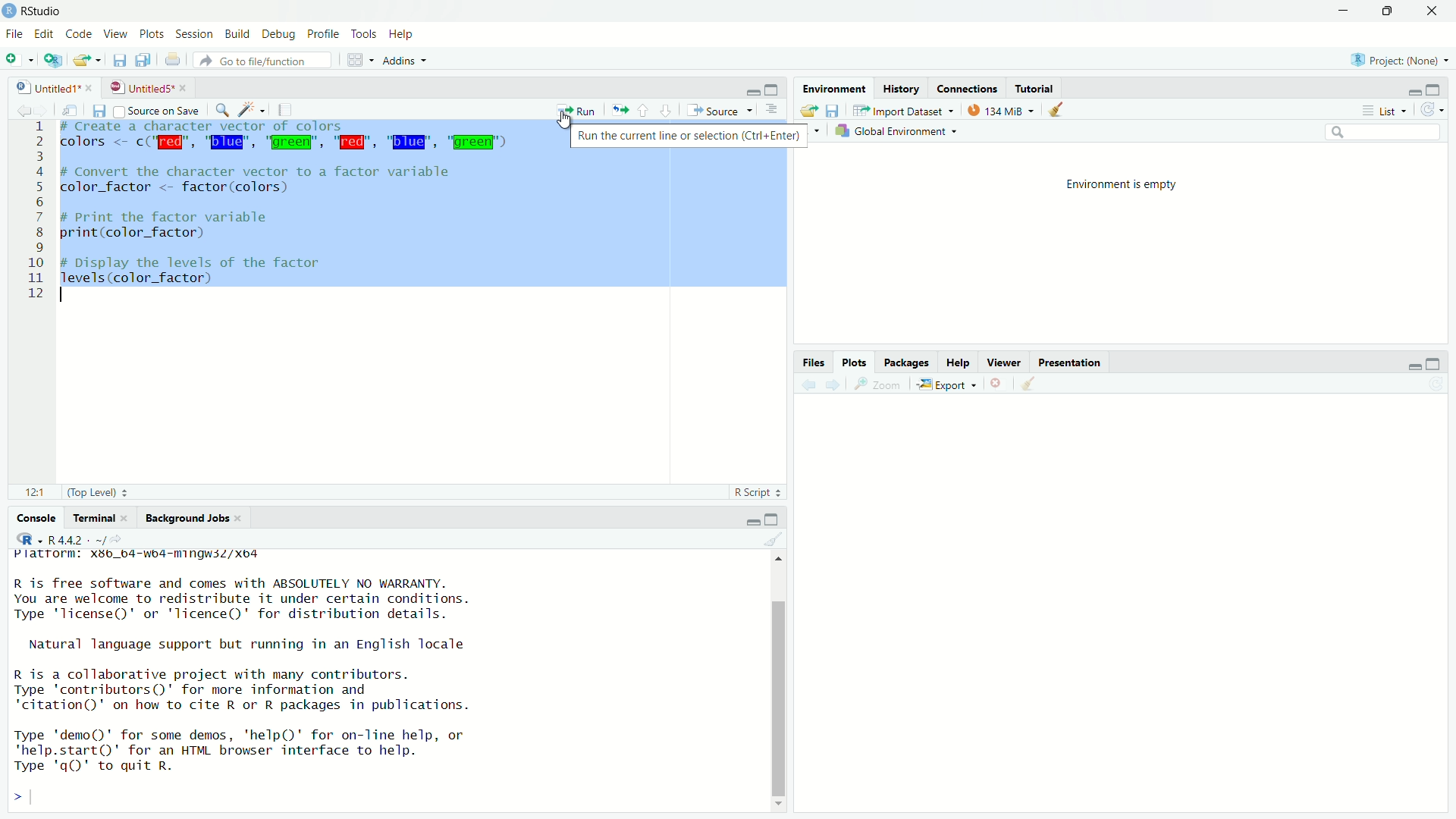 The width and height of the screenshot is (1456, 819). Describe the element at coordinates (620, 111) in the screenshot. I see `re-run the previous code region` at that location.